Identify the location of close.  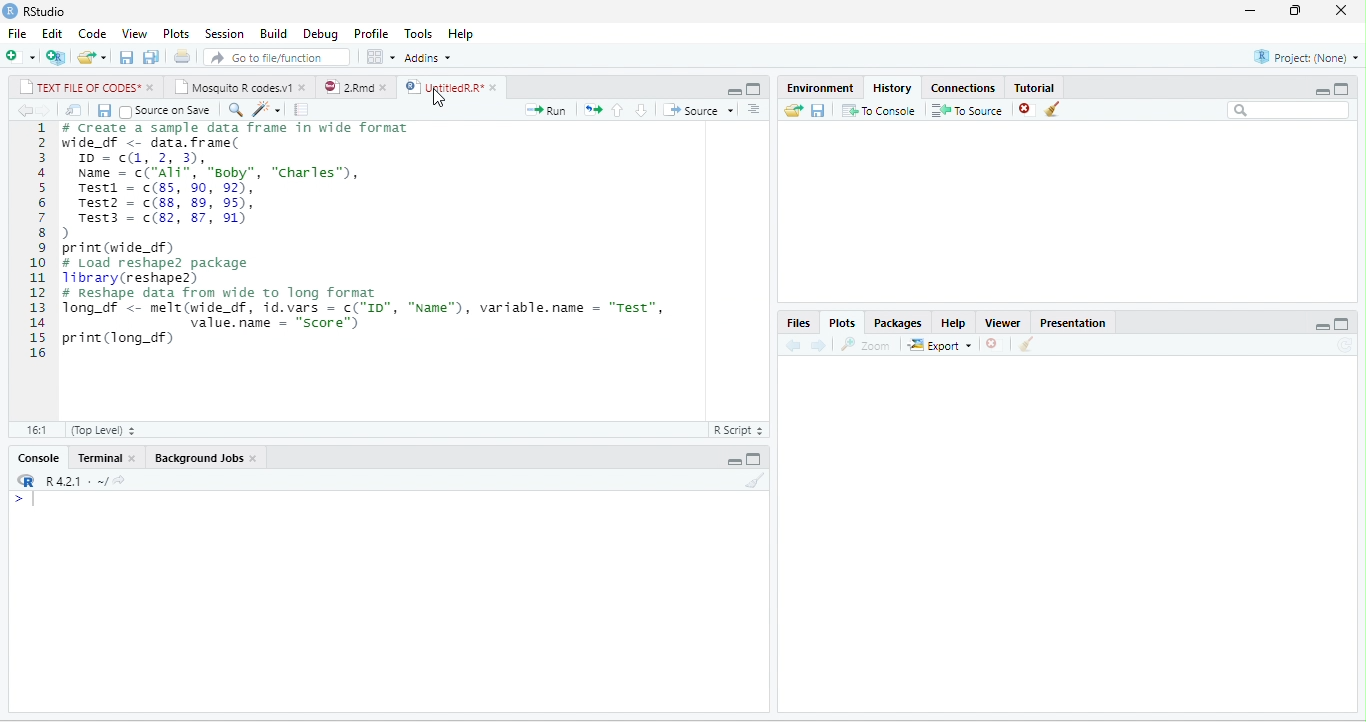
(304, 86).